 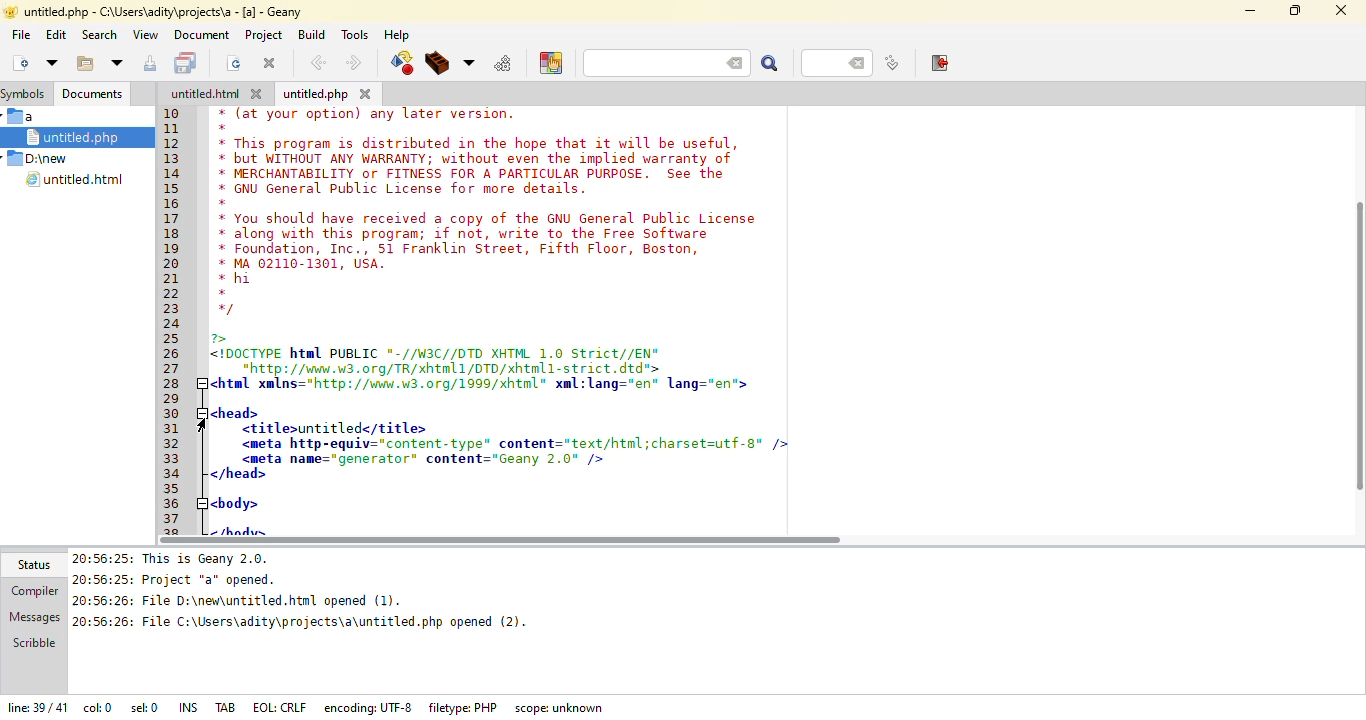 I want to click on filetype: PHP, so click(x=462, y=708).